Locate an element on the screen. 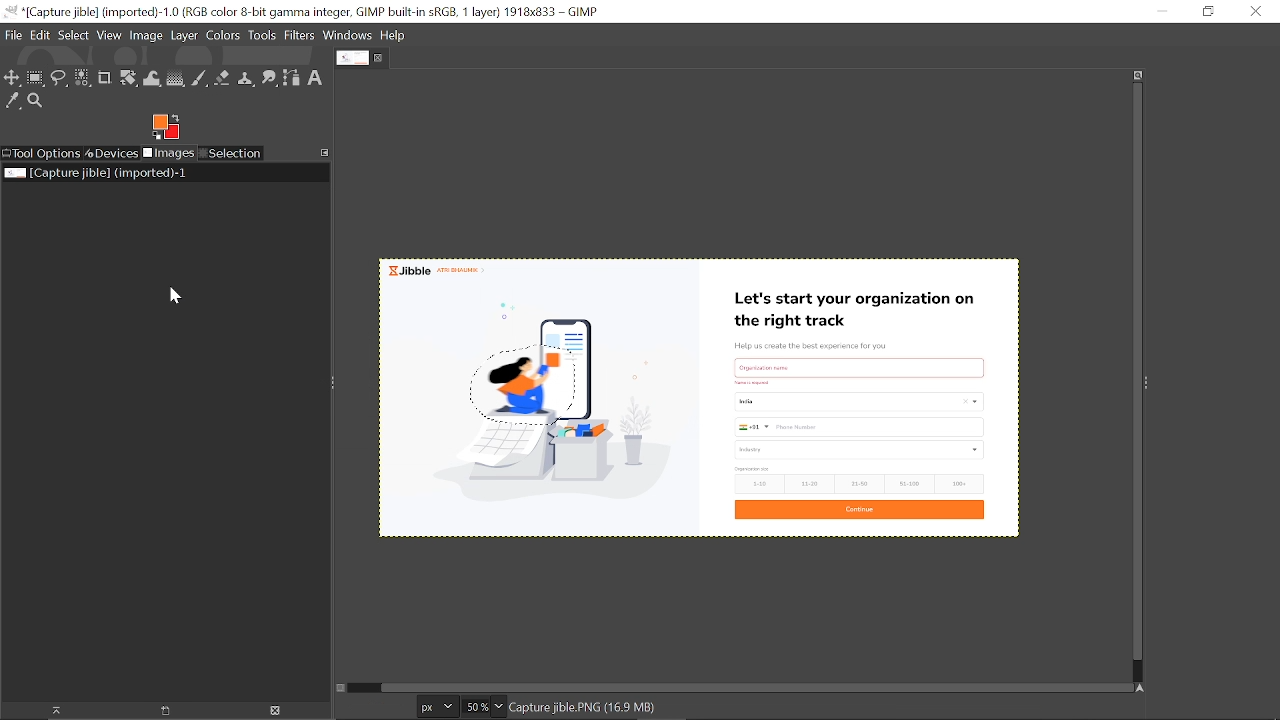 The width and height of the screenshot is (1280, 720). Unified transform tool is located at coordinates (128, 79).